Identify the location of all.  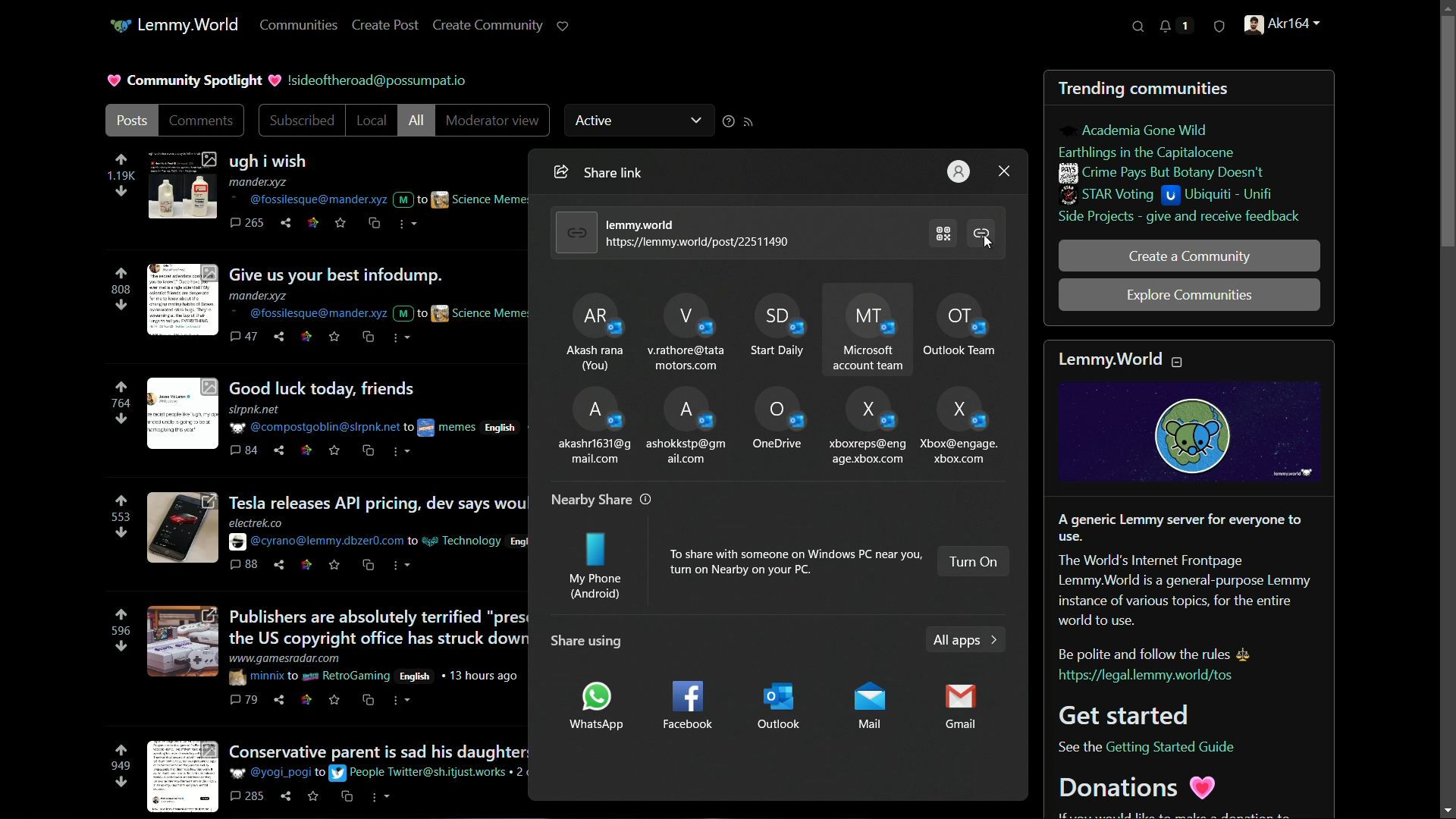
(416, 121).